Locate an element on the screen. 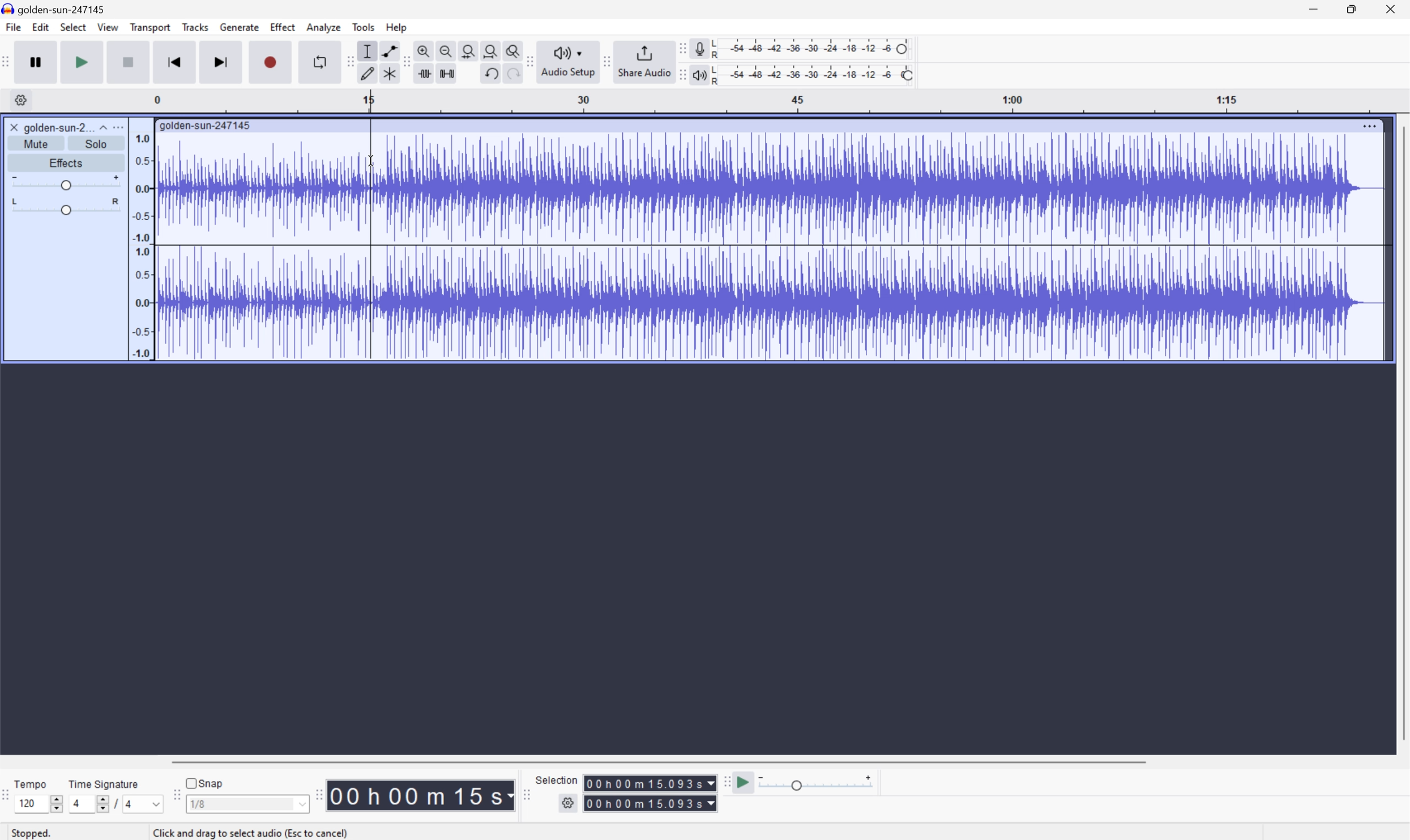  Time is located at coordinates (421, 794).